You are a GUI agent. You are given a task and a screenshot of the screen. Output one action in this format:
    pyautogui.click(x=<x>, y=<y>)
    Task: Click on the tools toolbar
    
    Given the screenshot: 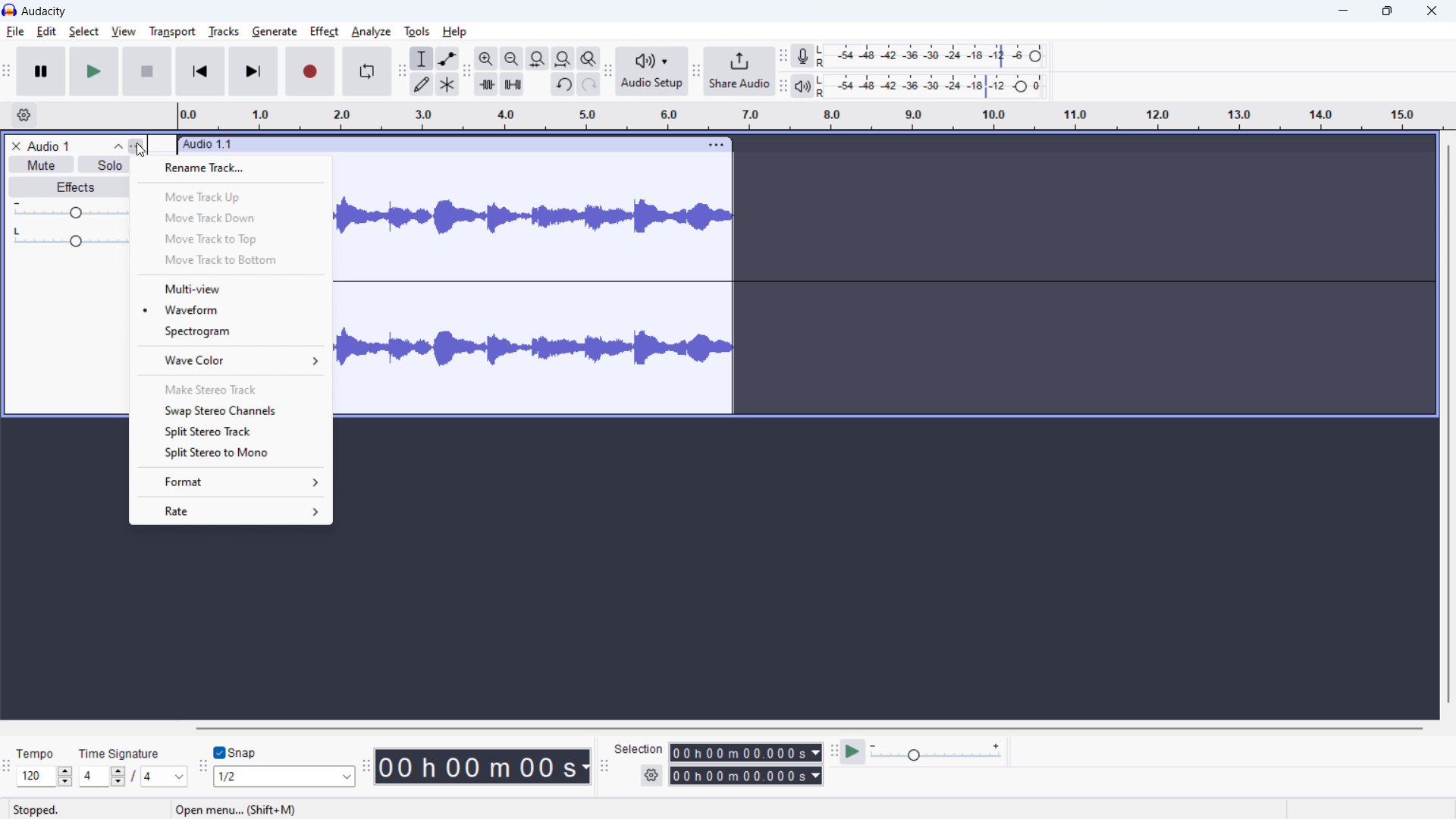 What is the action you would take?
    pyautogui.click(x=400, y=71)
    